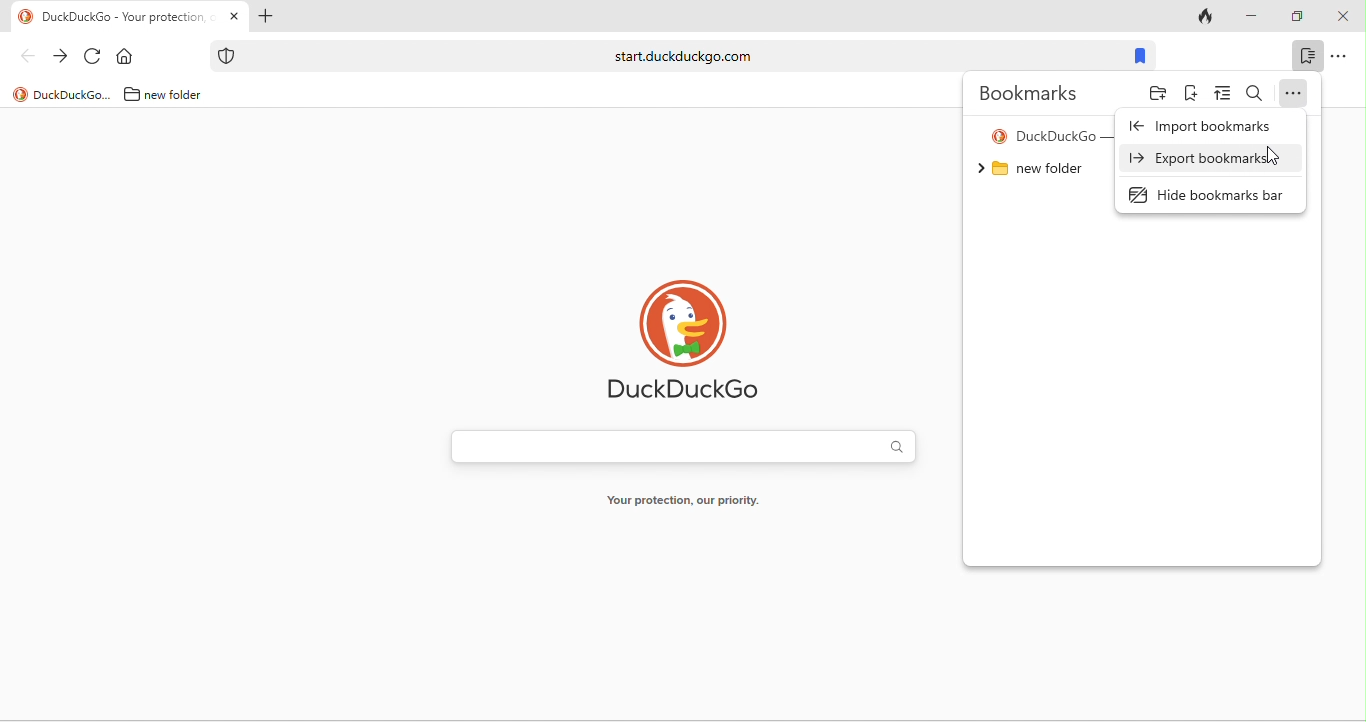  Describe the element at coordinates (1295, 93) in the screenshot. I see `option` at that location.